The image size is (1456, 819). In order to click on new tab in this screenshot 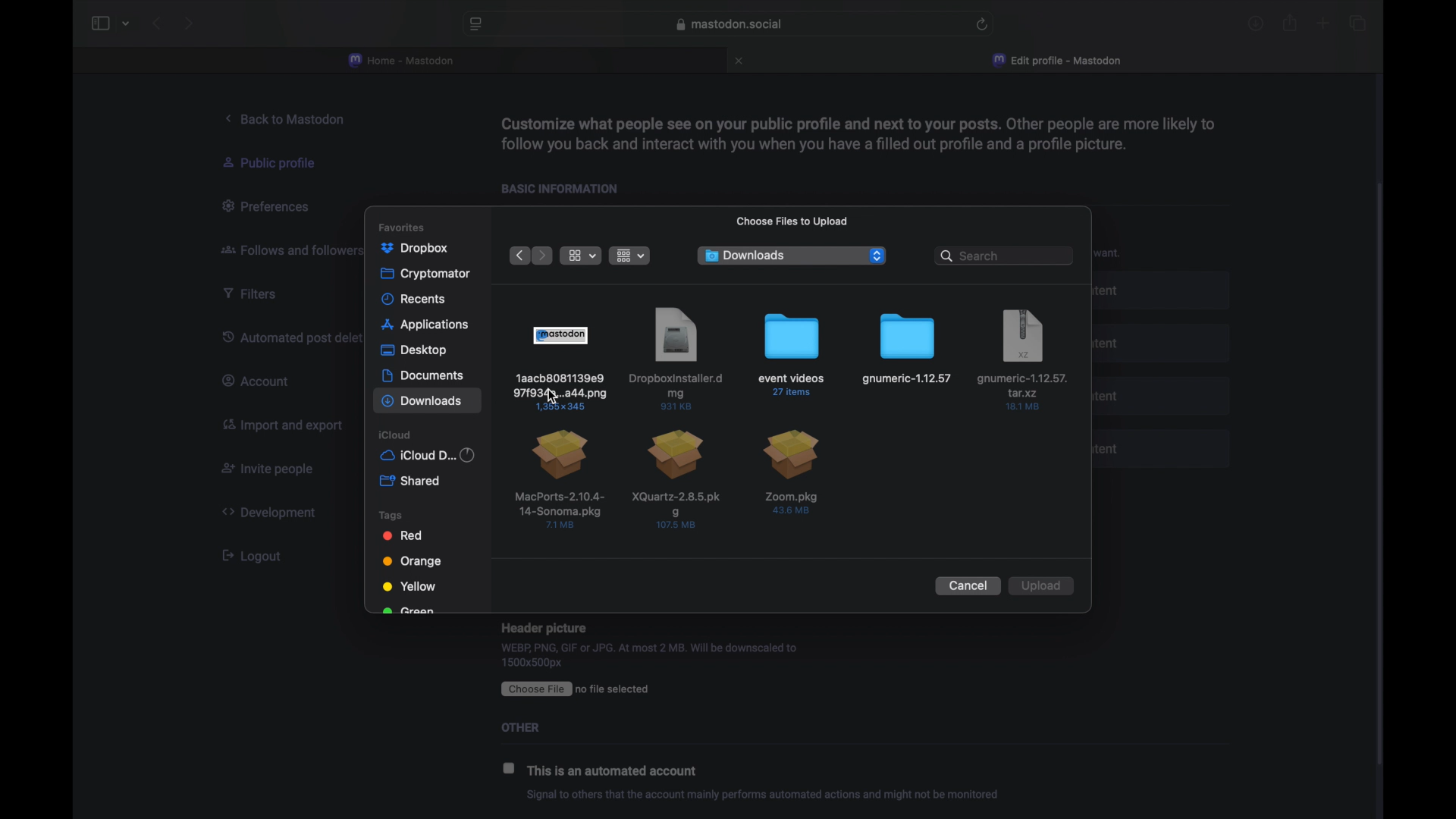, I will do `click(1323, 25)`.